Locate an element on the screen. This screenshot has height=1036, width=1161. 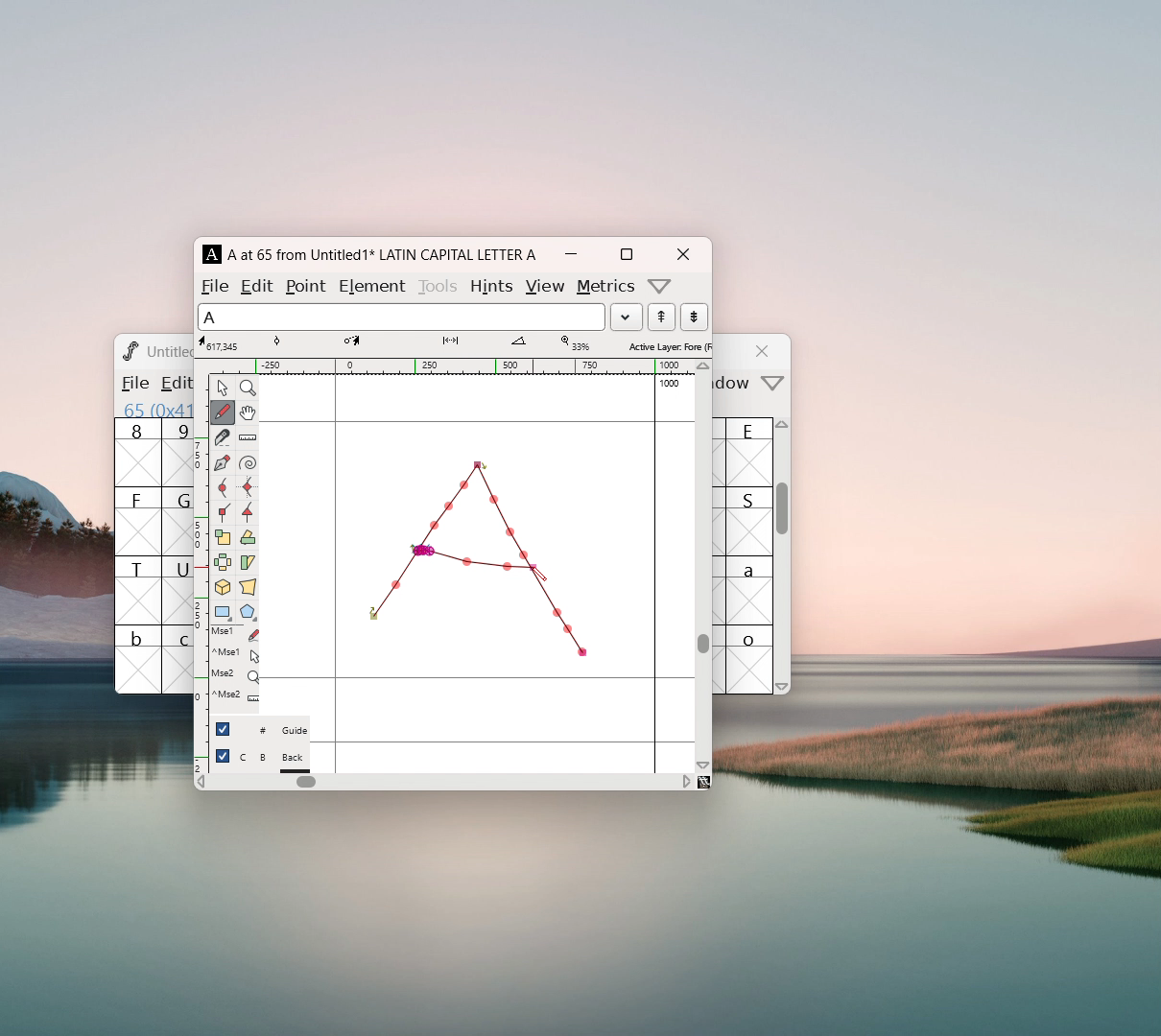
cursor is located at coordinates (538, 577).